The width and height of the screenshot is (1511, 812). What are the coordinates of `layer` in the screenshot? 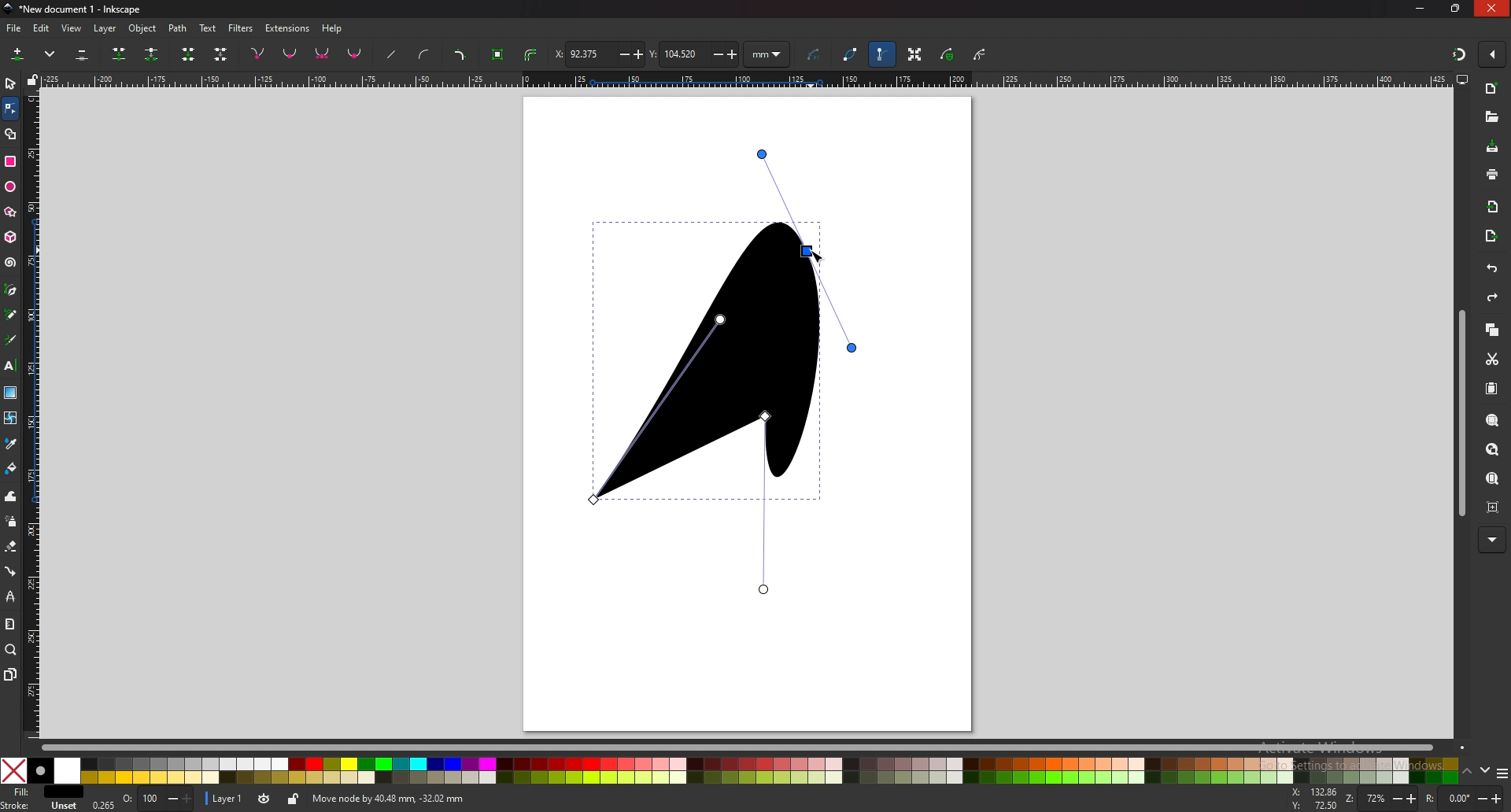 It's located at (227, 799).